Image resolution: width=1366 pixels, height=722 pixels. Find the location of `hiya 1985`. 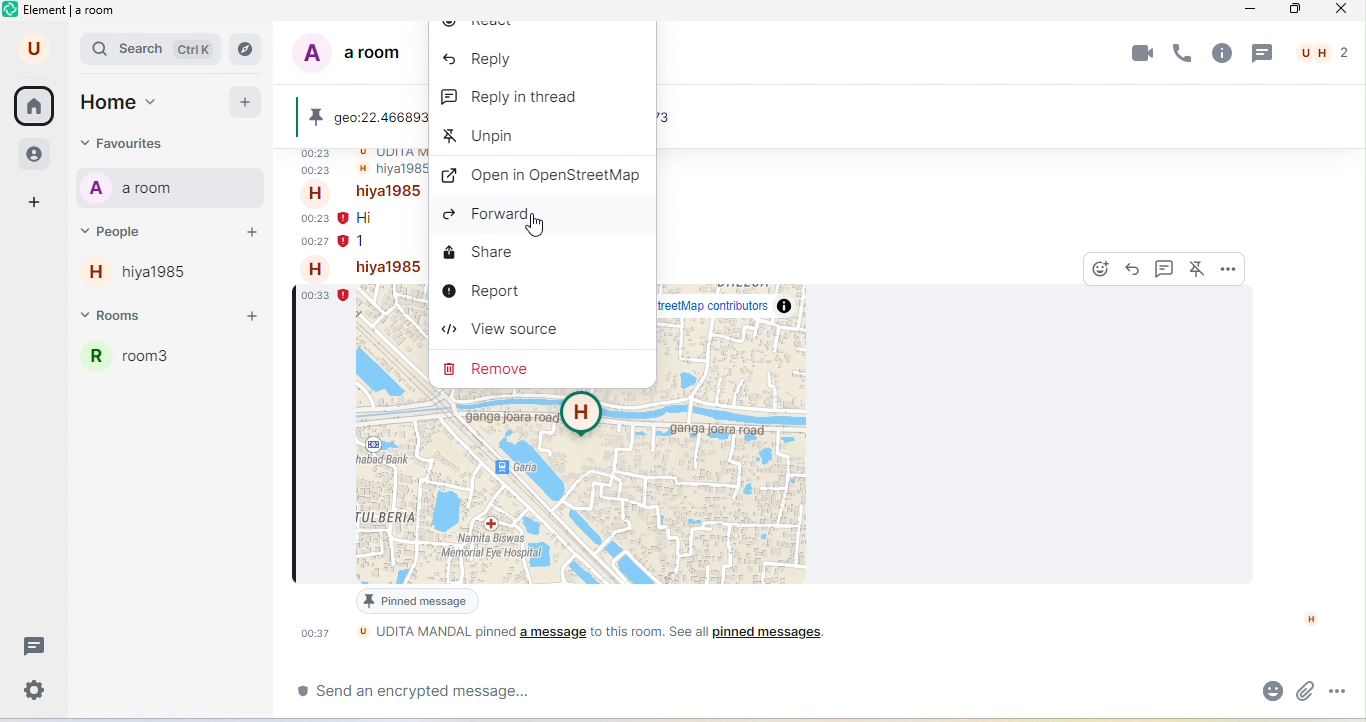

hiya 1985 is located at coordinates (388, 268).